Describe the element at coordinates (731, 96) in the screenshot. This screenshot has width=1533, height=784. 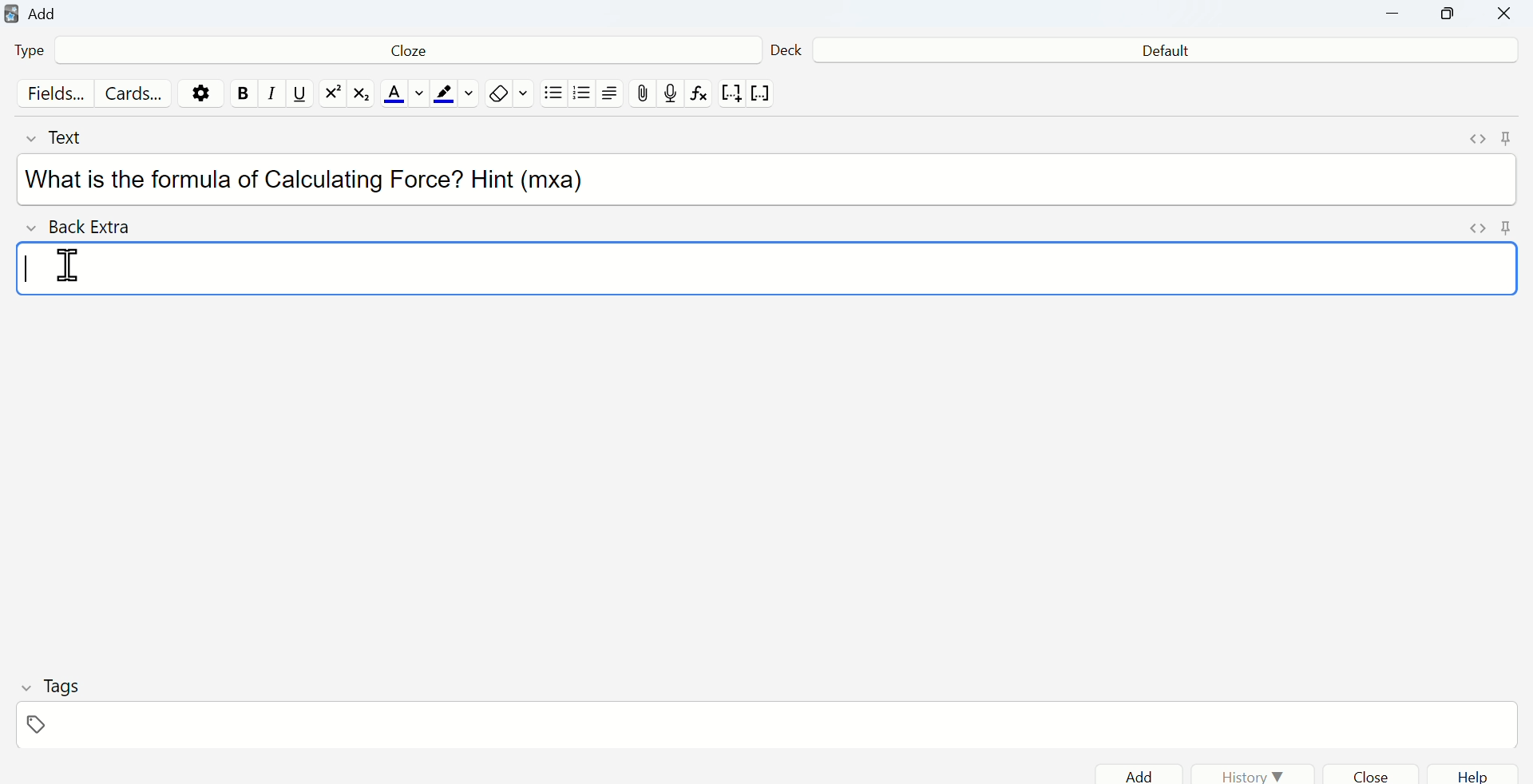
I see `notation` at that location.